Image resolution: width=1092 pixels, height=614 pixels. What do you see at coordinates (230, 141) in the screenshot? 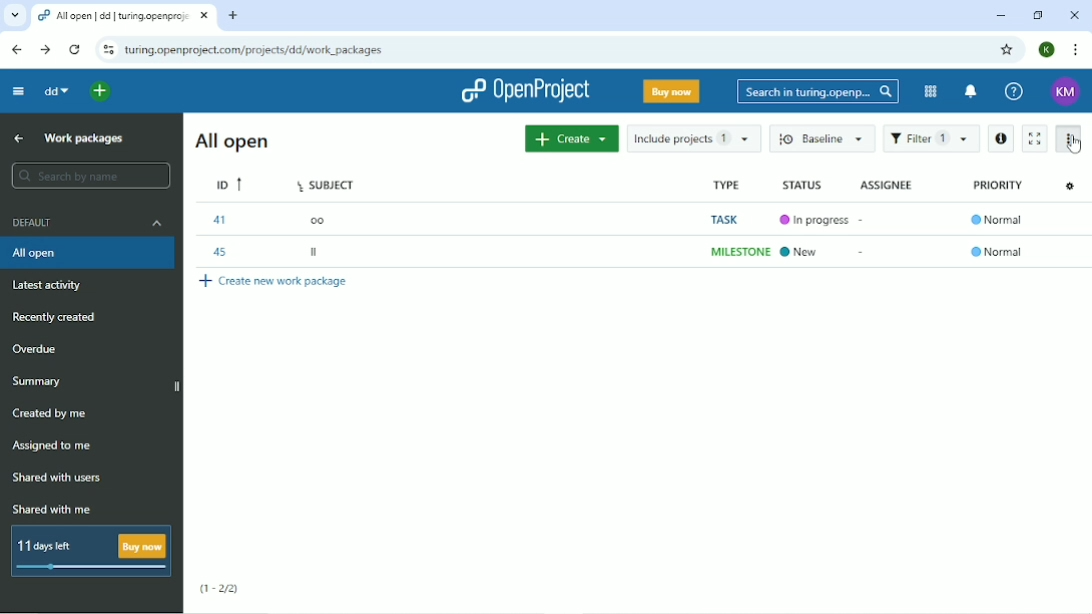
I see `All open` at bounding box center [230, 141].